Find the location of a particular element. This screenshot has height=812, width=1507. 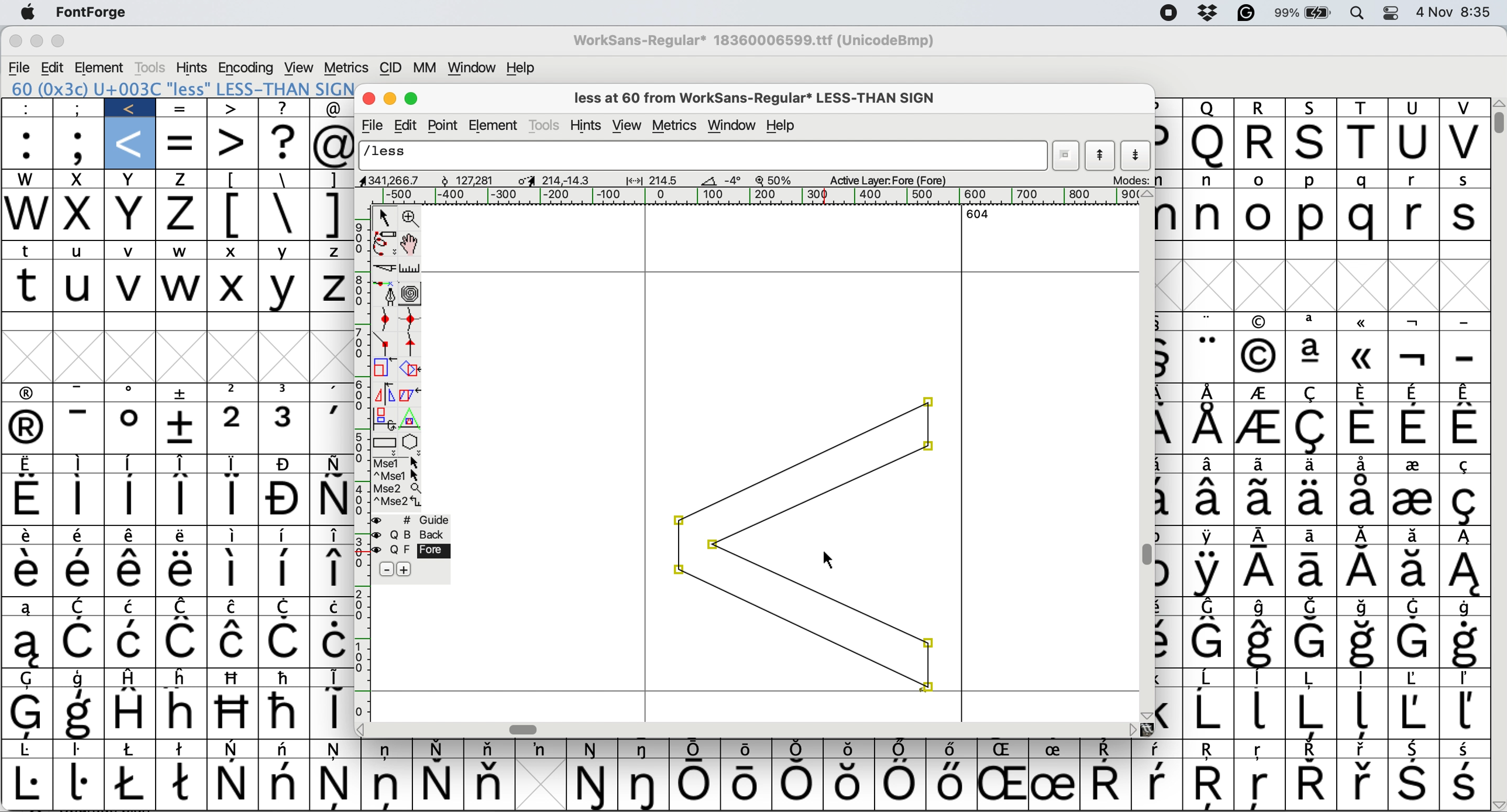

Symbol is located at coordinates (1264, 537).